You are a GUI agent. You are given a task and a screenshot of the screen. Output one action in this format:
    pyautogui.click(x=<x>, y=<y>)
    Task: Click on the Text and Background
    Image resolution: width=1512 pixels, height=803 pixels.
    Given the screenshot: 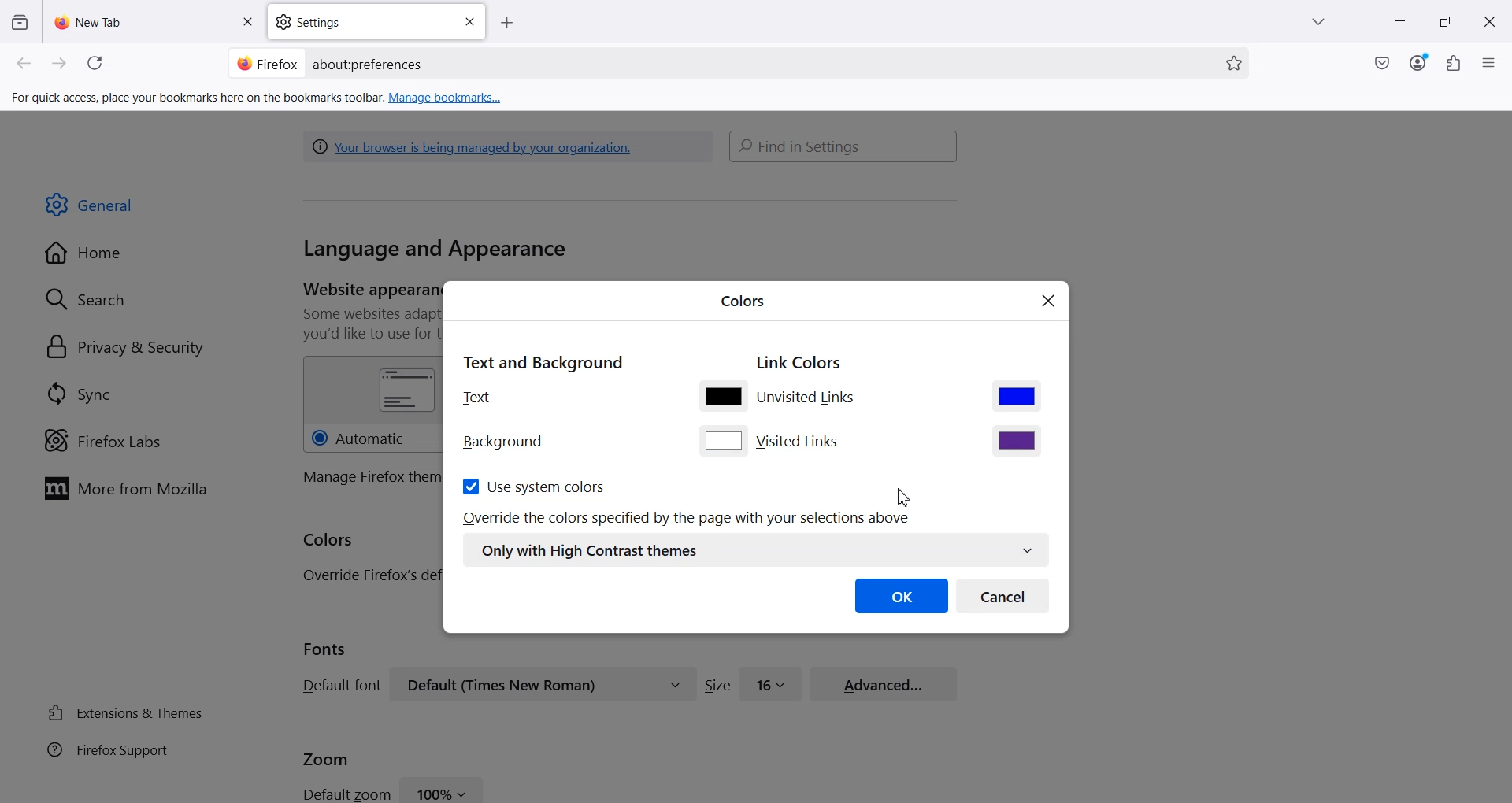 What is the action you would take?
    pyautogui.click(x=542, y=361)
    